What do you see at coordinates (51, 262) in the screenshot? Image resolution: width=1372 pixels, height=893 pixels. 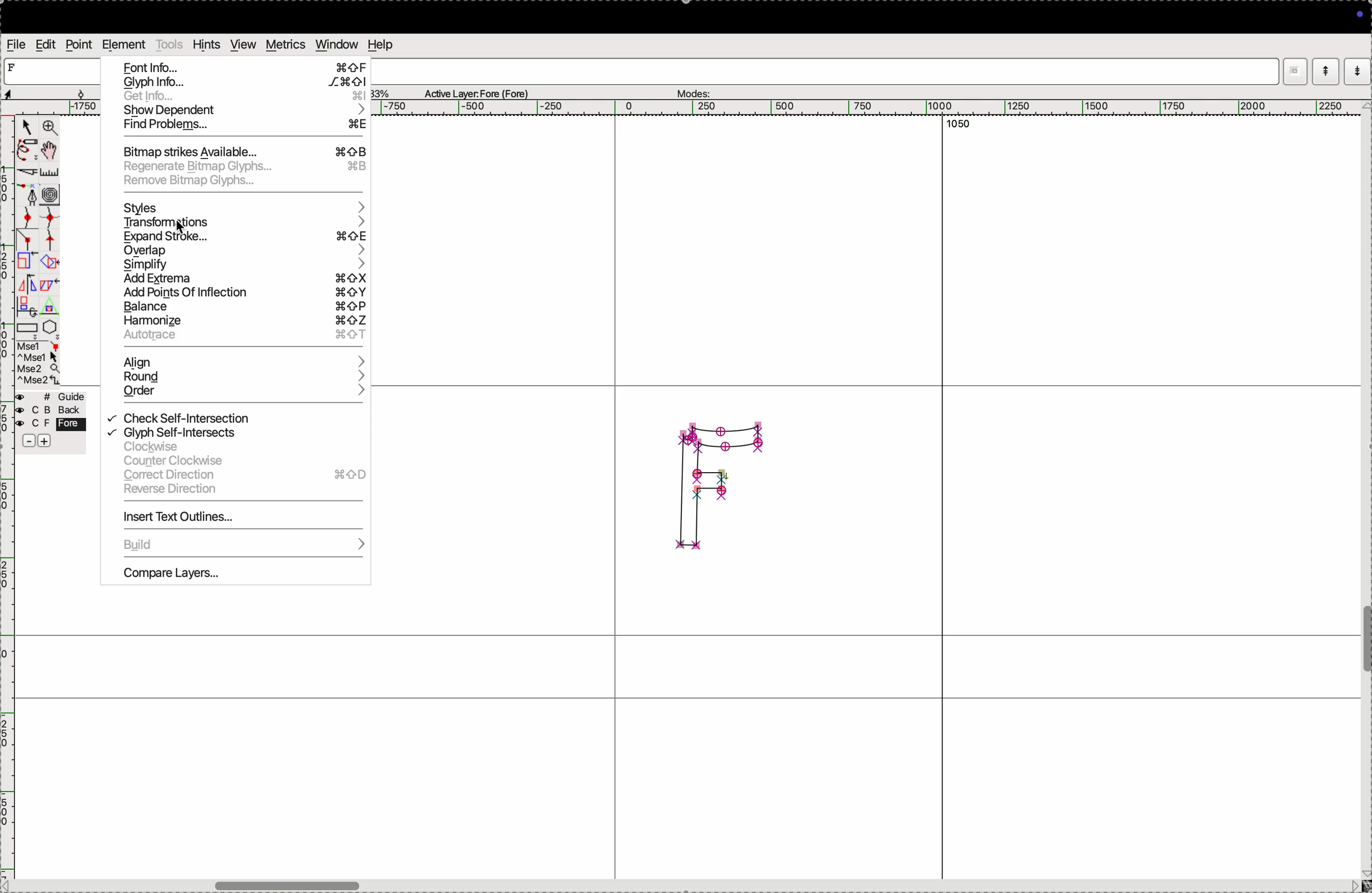 I see `overlap` at bounding box center [51, 262].